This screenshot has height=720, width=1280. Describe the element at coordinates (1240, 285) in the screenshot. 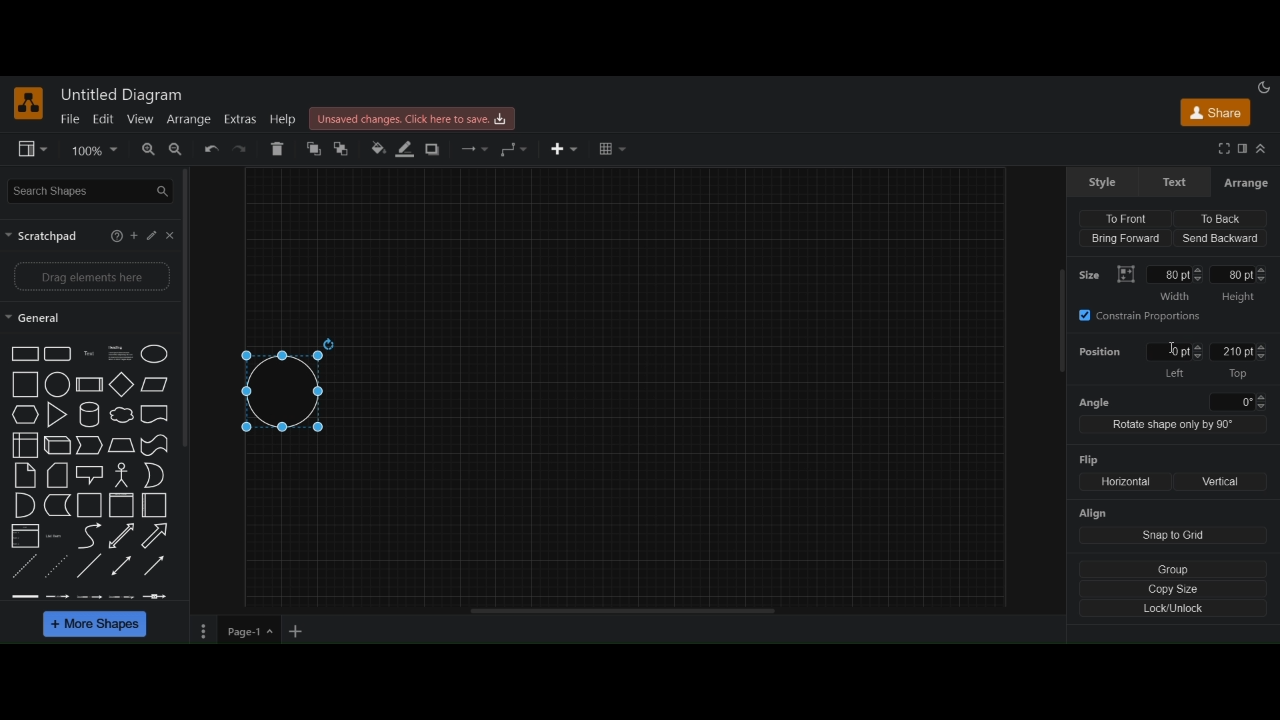

I see `height` at that location.